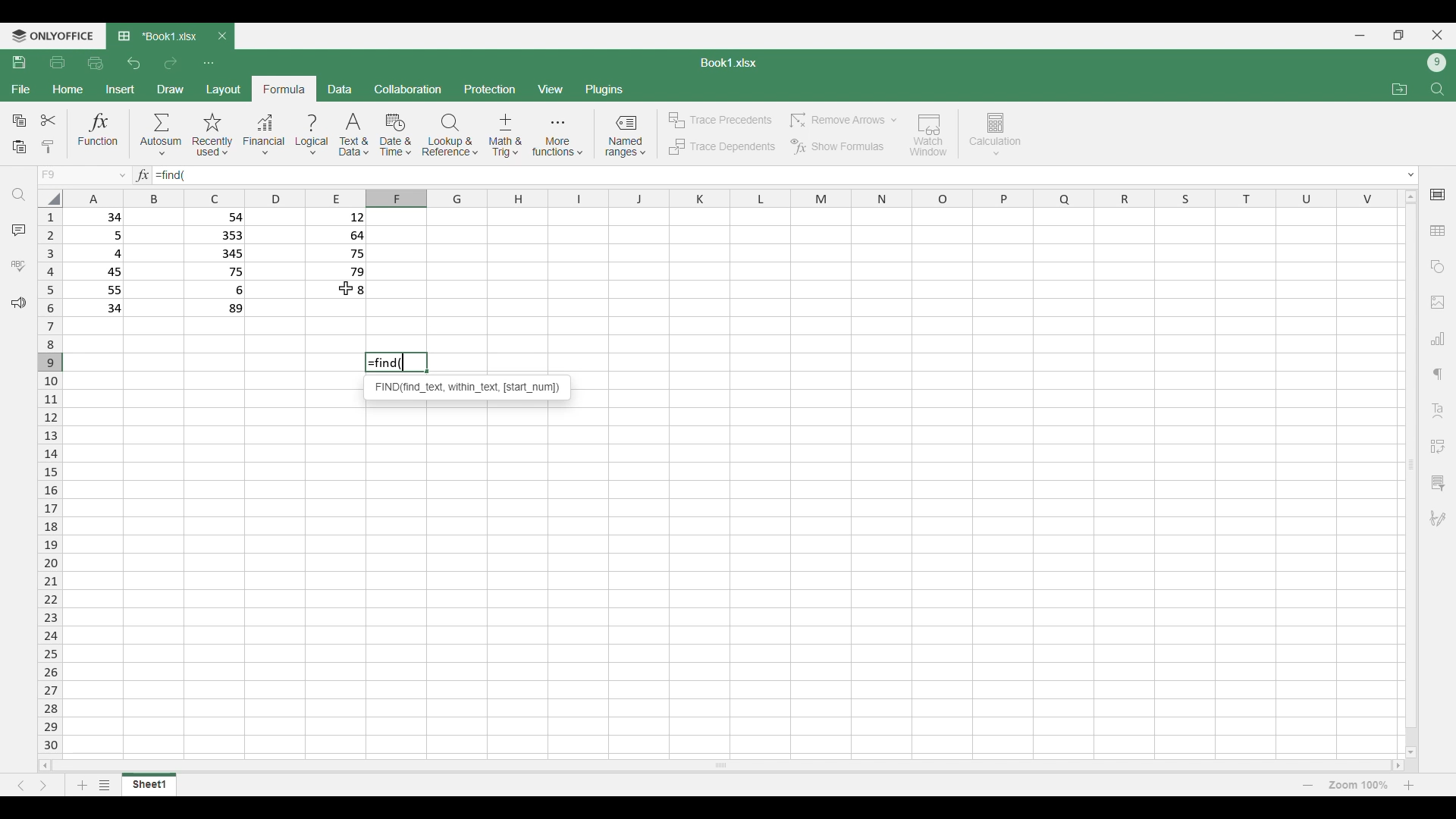  I want to click on Slicer, so click(1437, 483).